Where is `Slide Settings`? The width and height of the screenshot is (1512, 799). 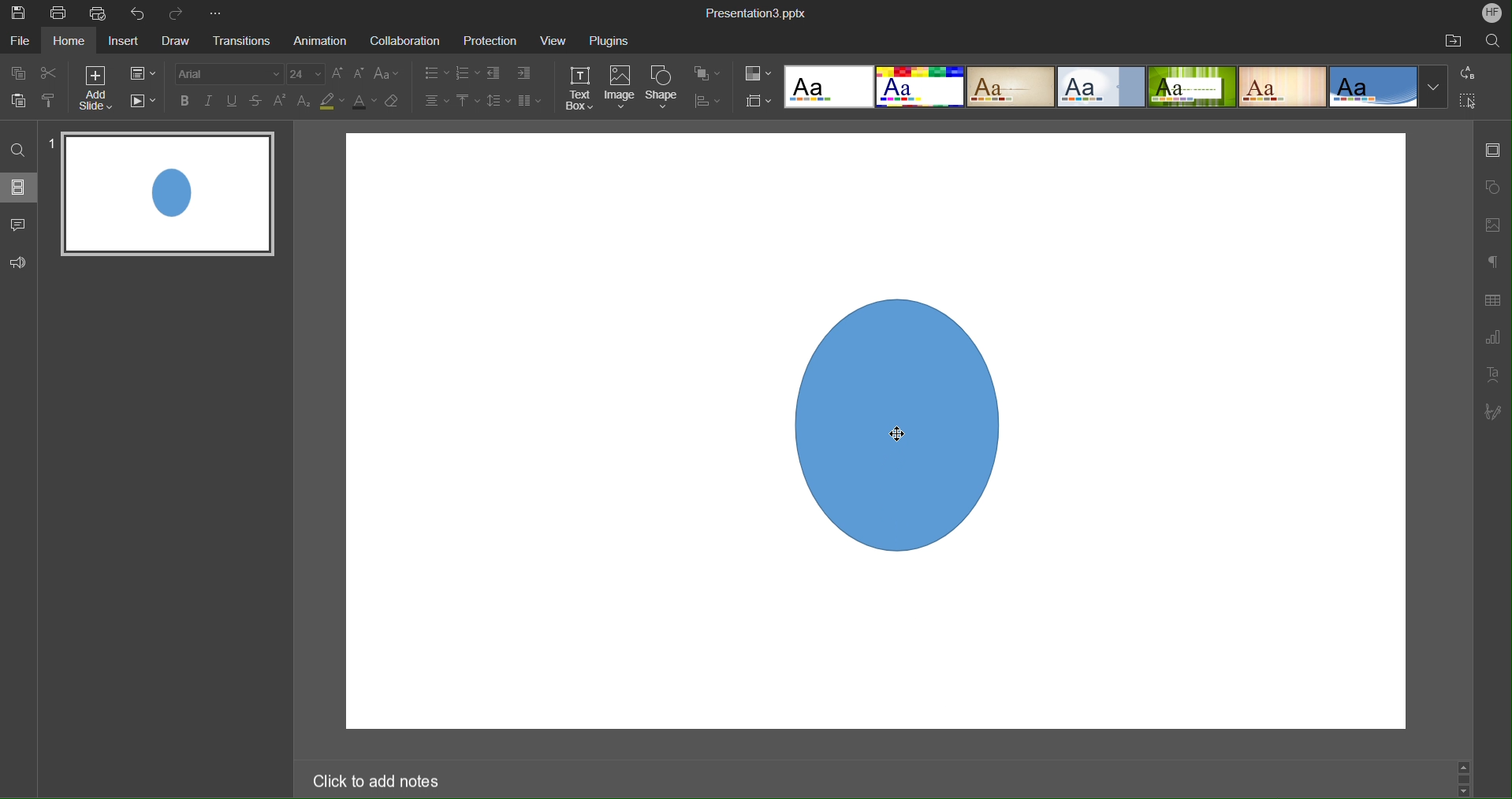 Slide Settings is located at coordinates (143, 74).